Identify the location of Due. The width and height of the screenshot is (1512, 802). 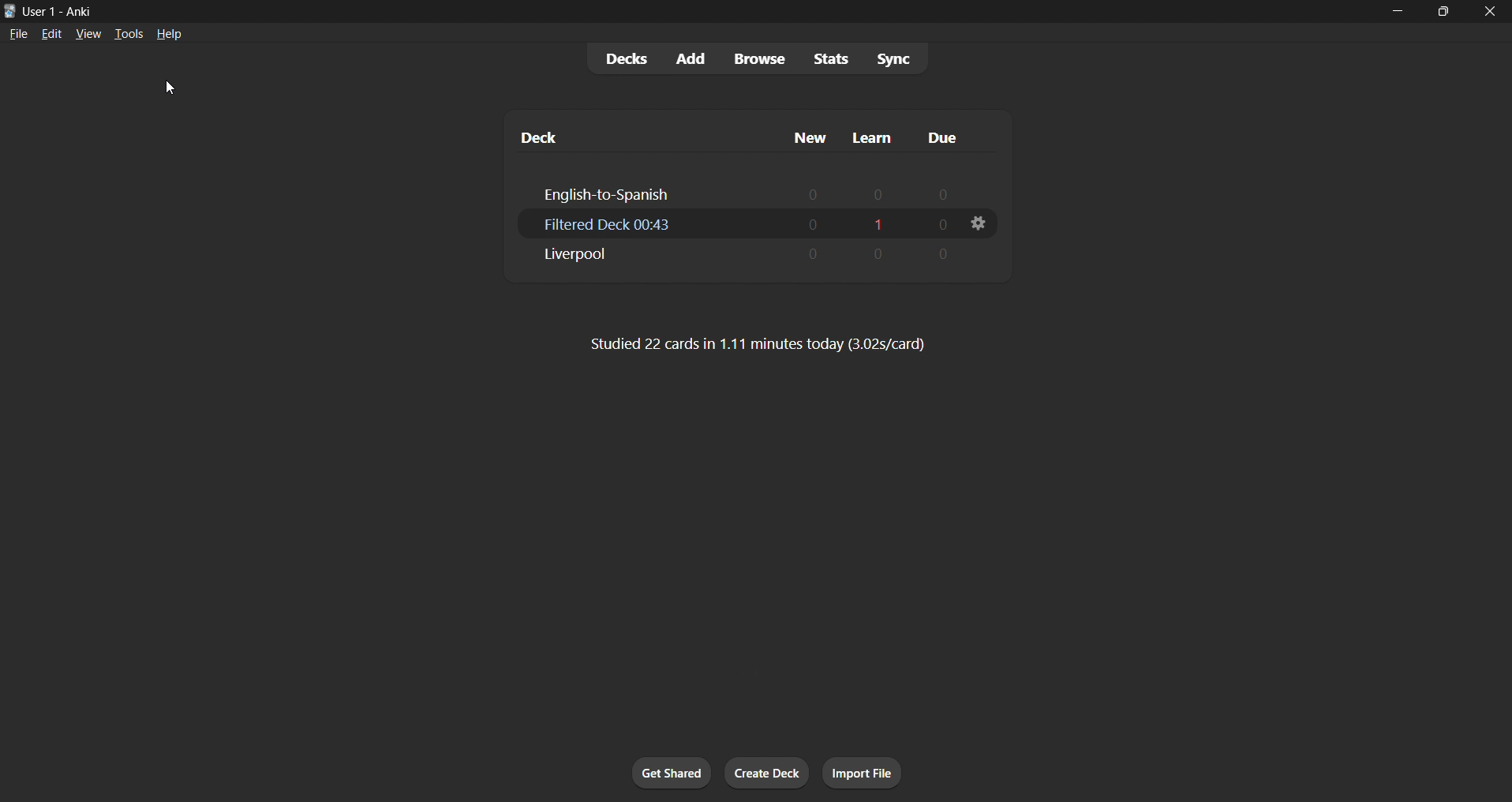
(949, 130).